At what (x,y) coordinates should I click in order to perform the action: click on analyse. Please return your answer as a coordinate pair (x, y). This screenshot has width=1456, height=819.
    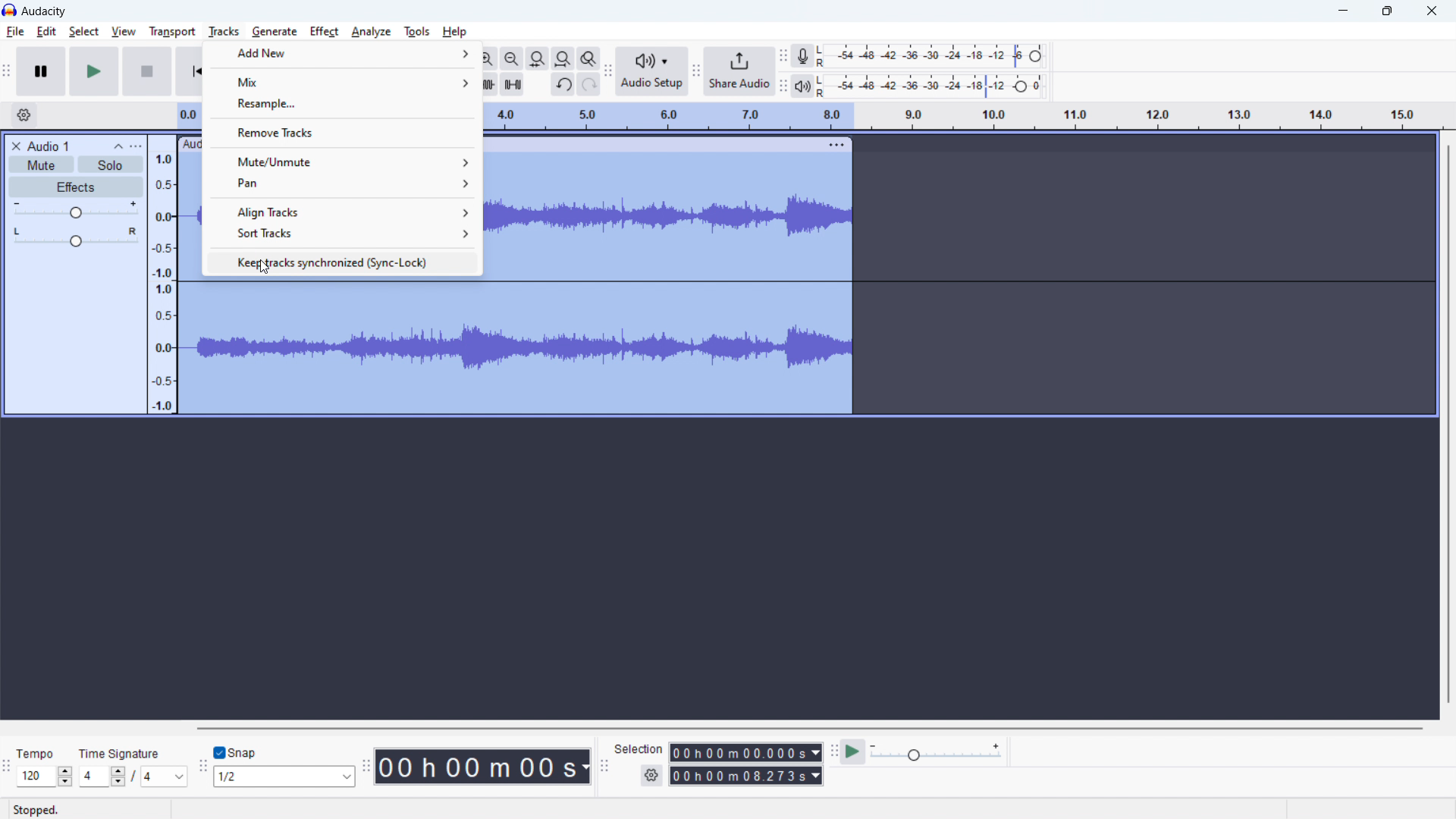
    Looking at the image, I should click on (371, 32).